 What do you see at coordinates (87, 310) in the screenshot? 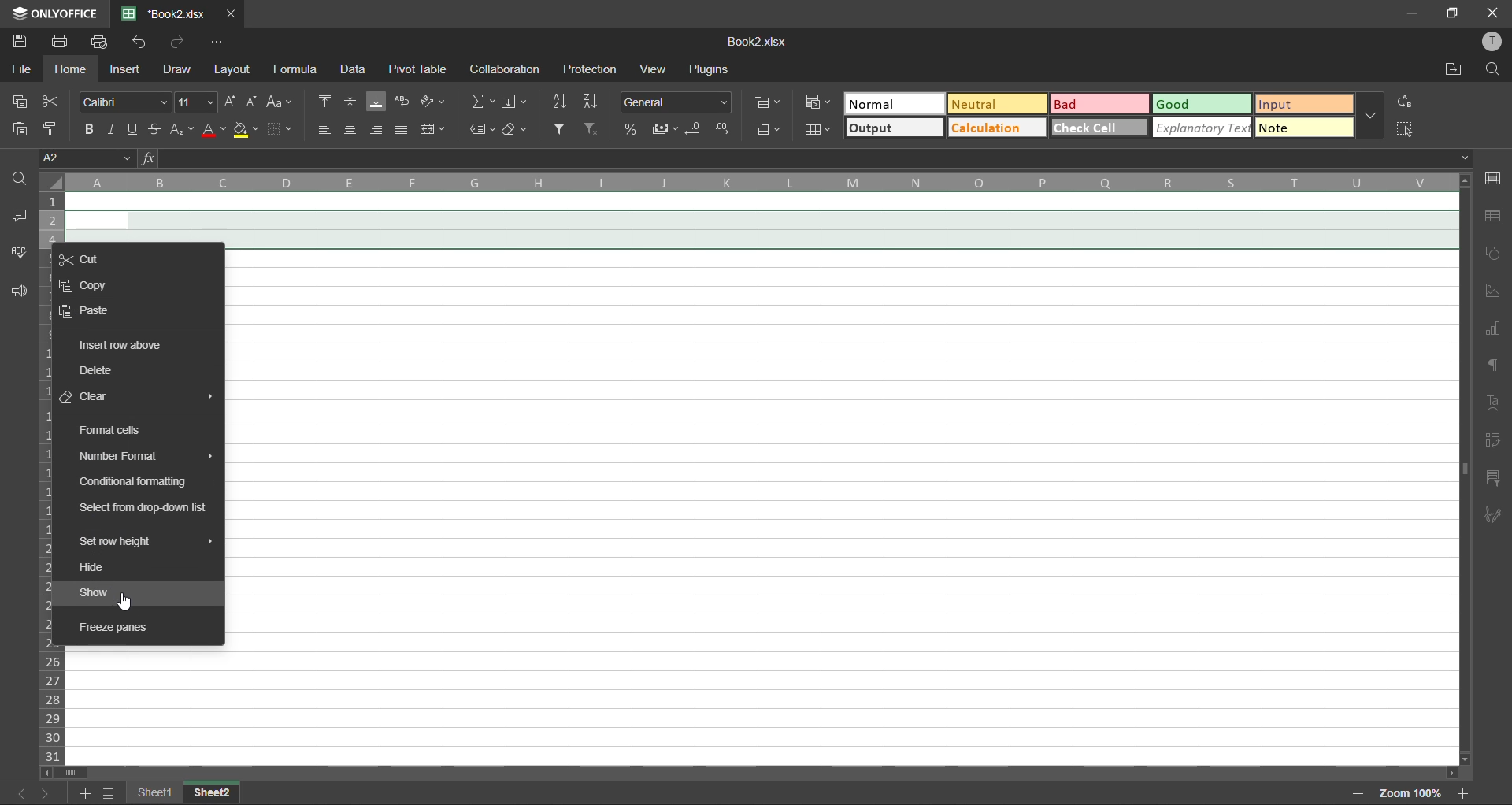
I see `paste` at bounding box center [87, 310].